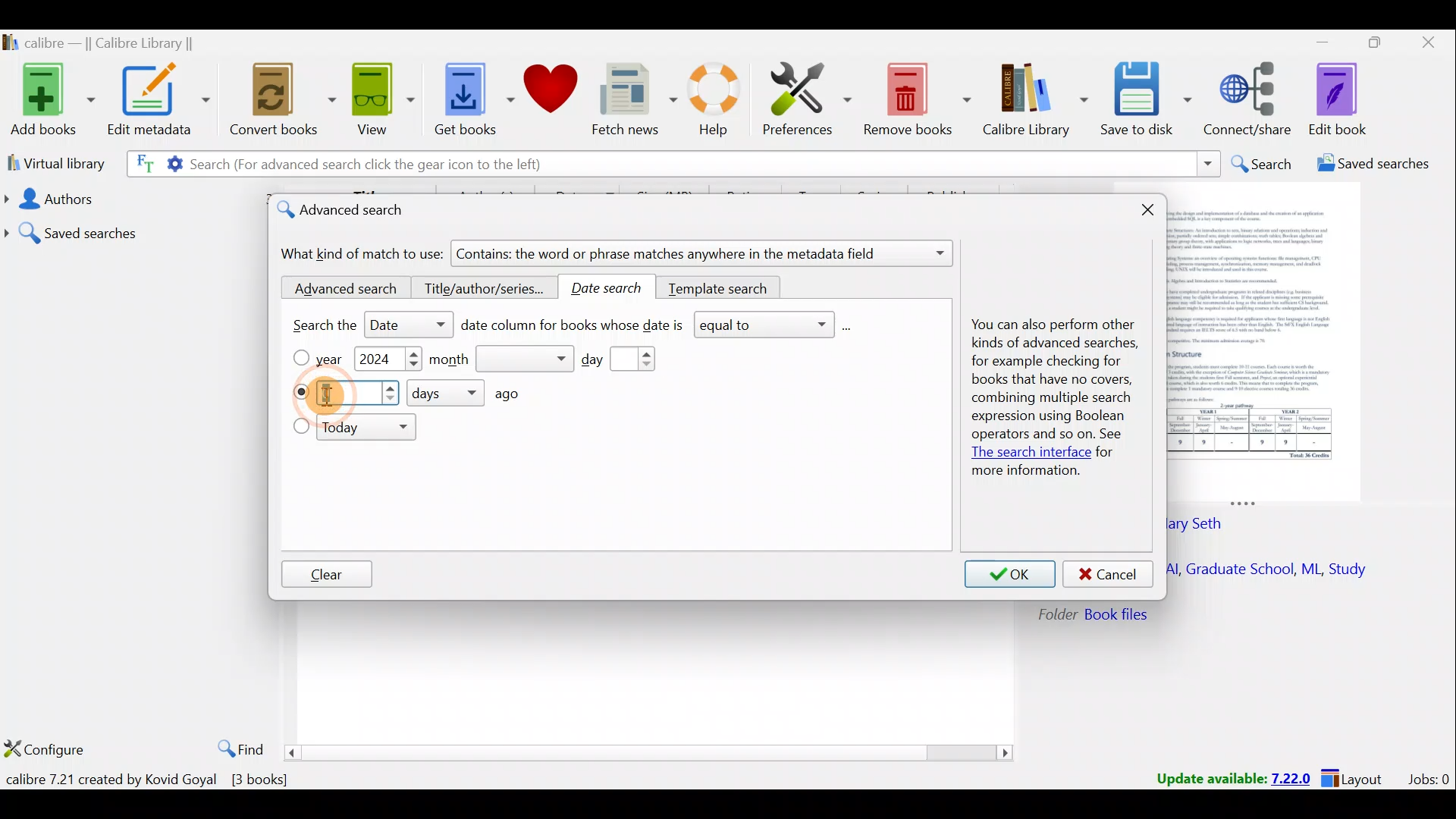 The height and width of the screenshot is (819, 1456). I want to click on more information., so click(1025, 472).